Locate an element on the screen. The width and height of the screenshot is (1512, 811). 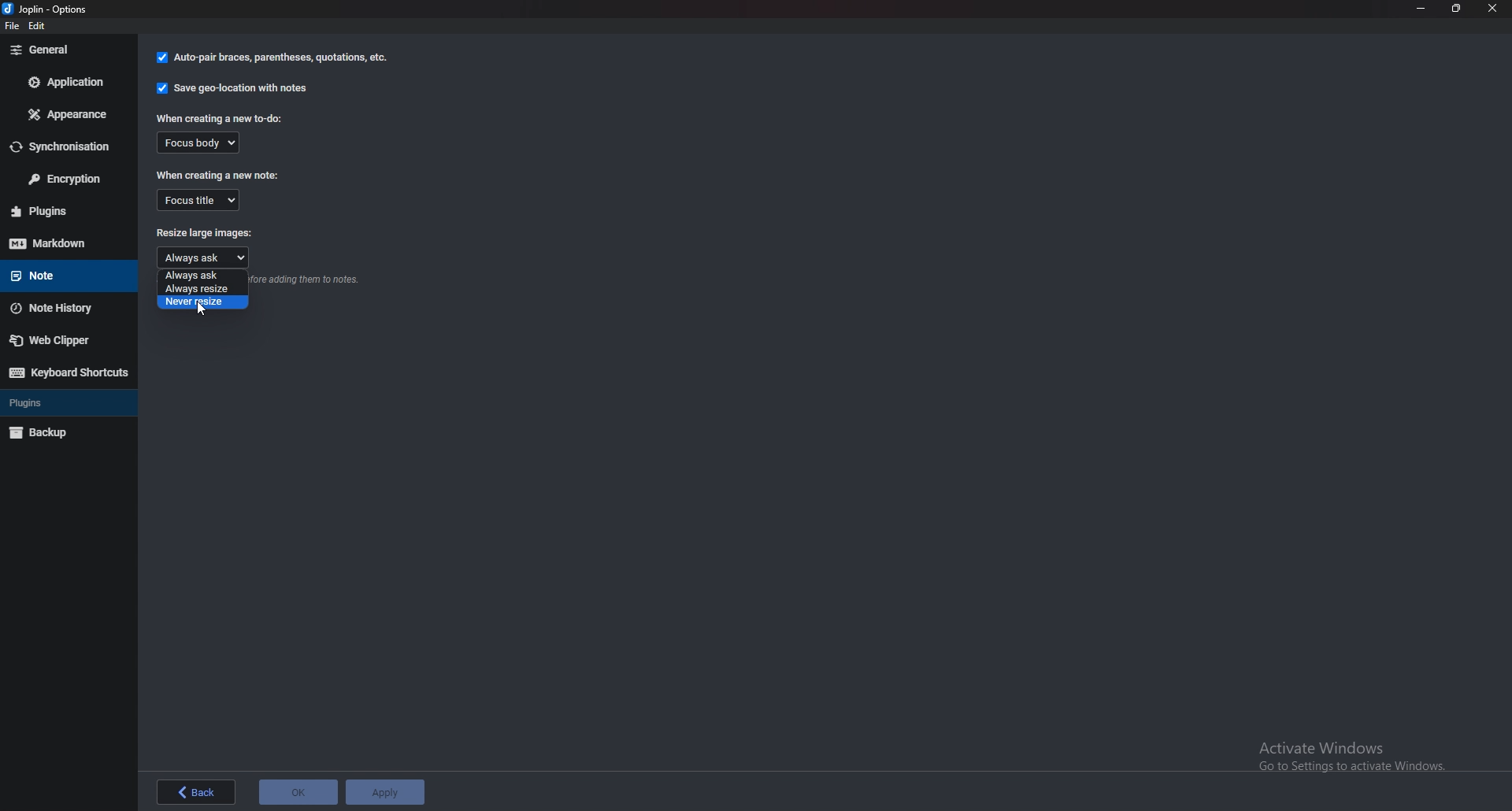
file is located at coordinates (15, 29).